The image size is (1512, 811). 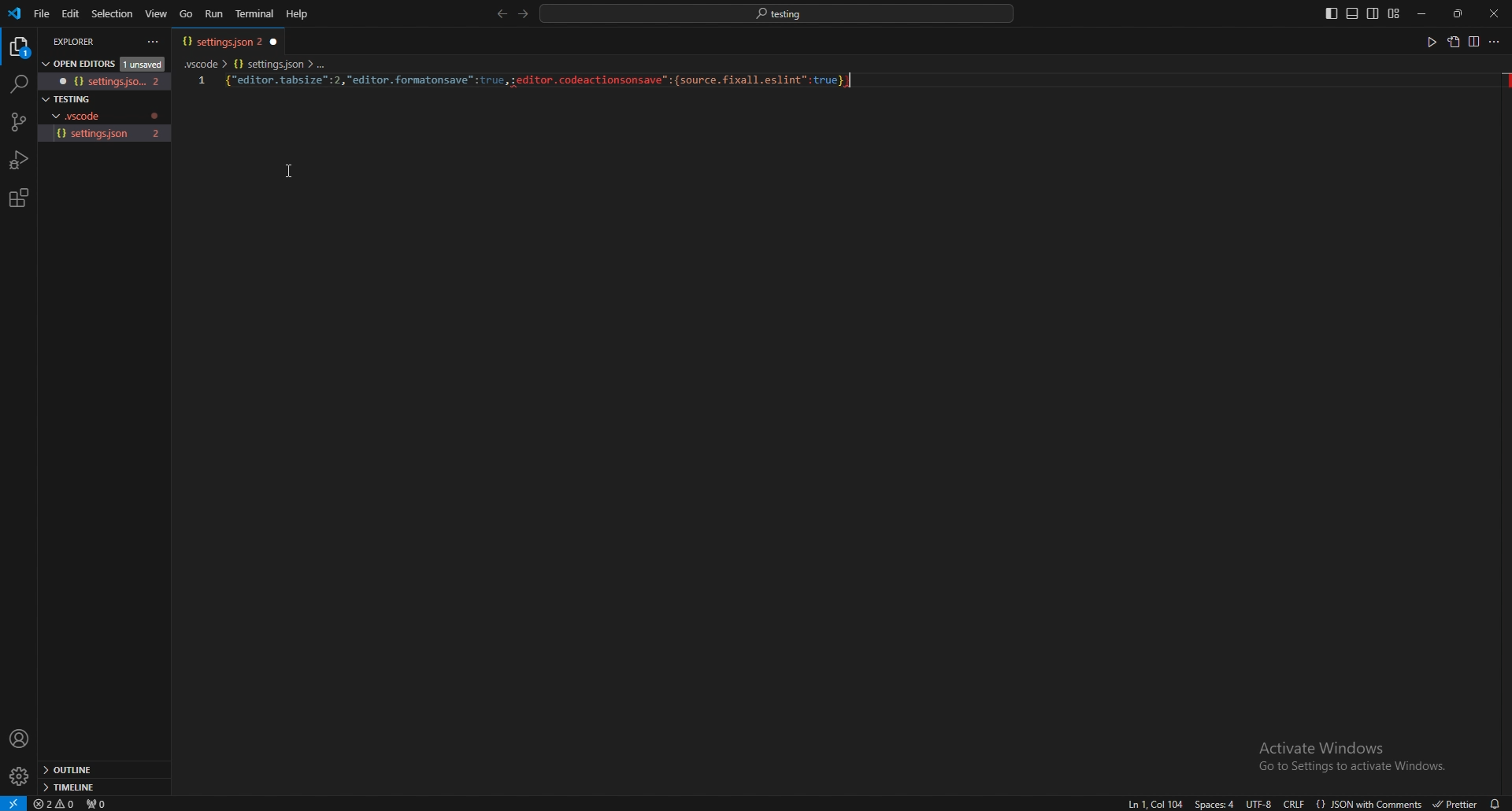 I want to click on explorer, so click(x=18, y=47).